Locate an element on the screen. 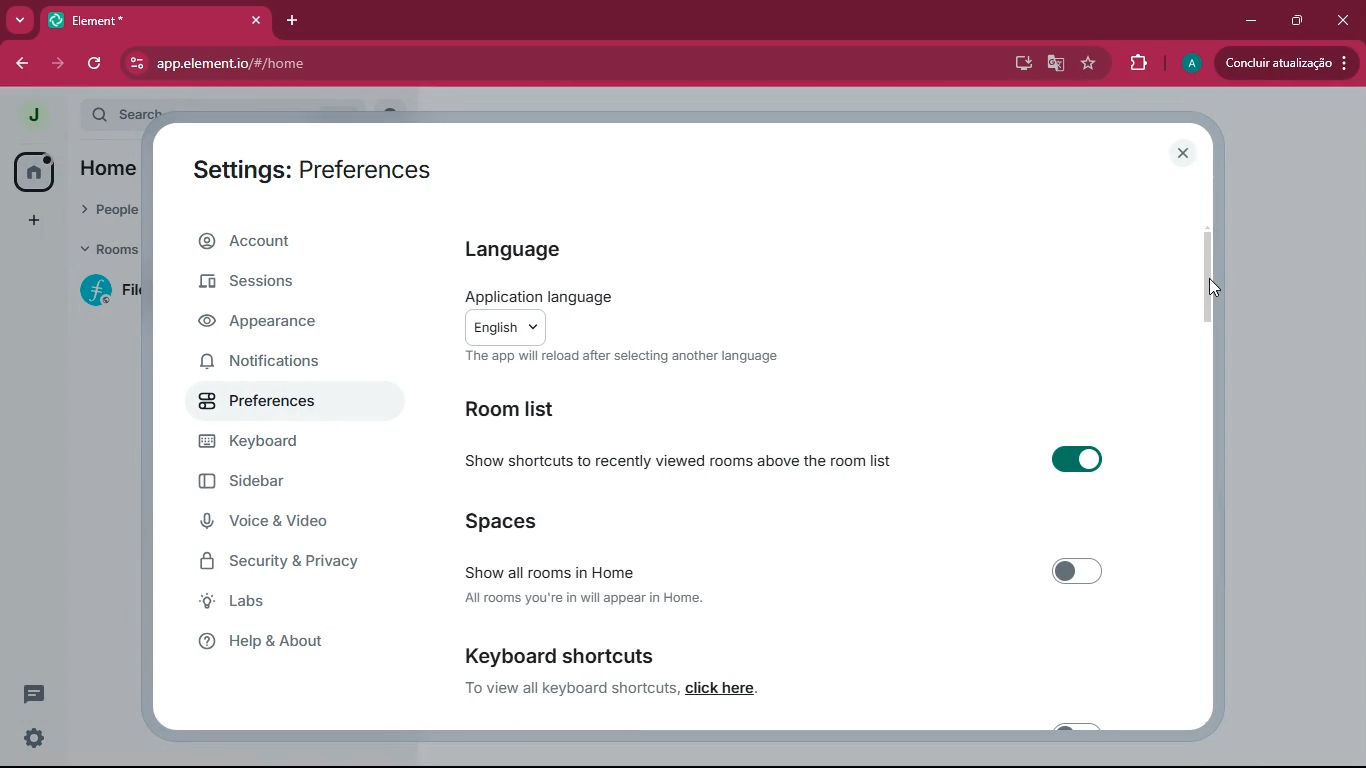 Image resolution: width=1366 pixels, height=768 pixels. quick settings is located at coordinates (34, 738).